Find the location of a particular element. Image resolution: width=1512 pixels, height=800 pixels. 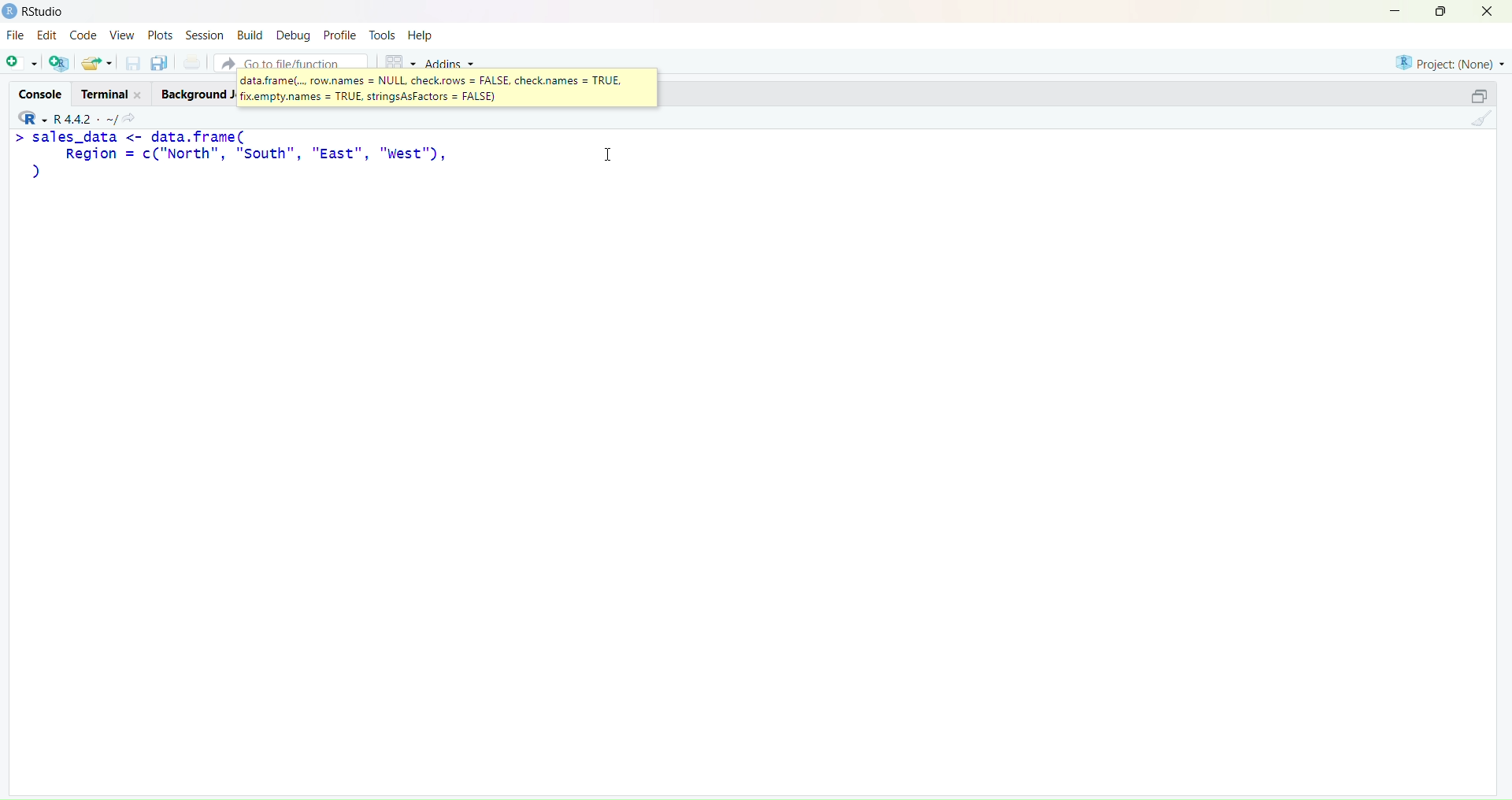

Help is located at coordinates (423, 36).